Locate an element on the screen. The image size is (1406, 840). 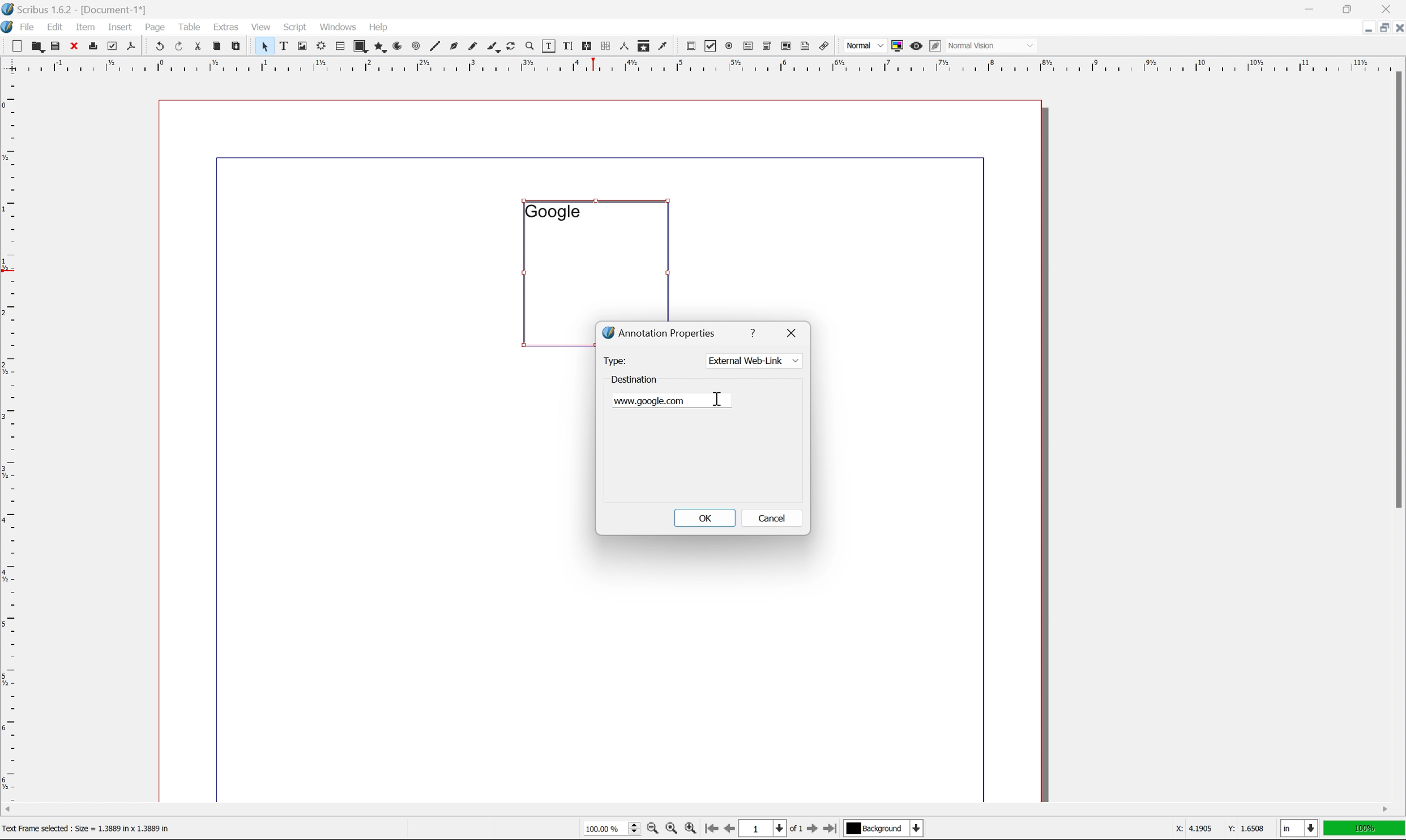
select current unit is located at coordinates (1301, 829).